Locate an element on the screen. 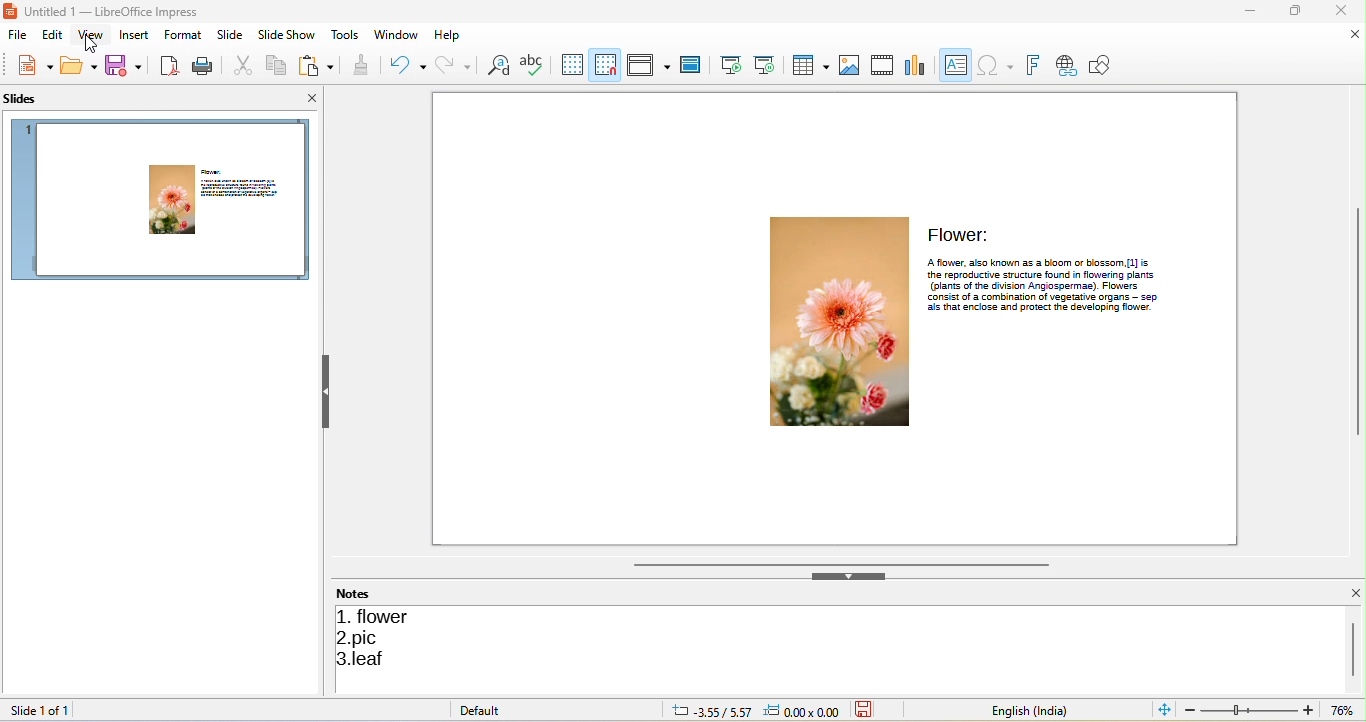 The height and width of the screenshot is (722, 1366). minimize is located at coordinates (1254, 11).